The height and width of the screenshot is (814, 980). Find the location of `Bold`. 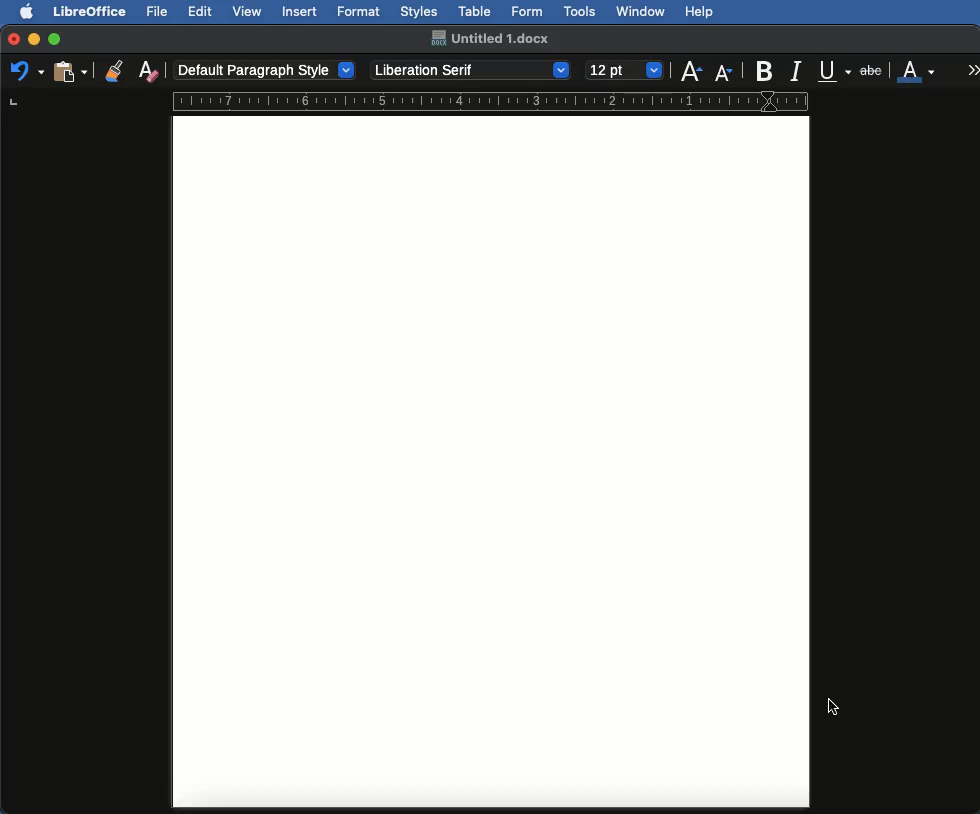

Bold is located at coordinates (766, 71).